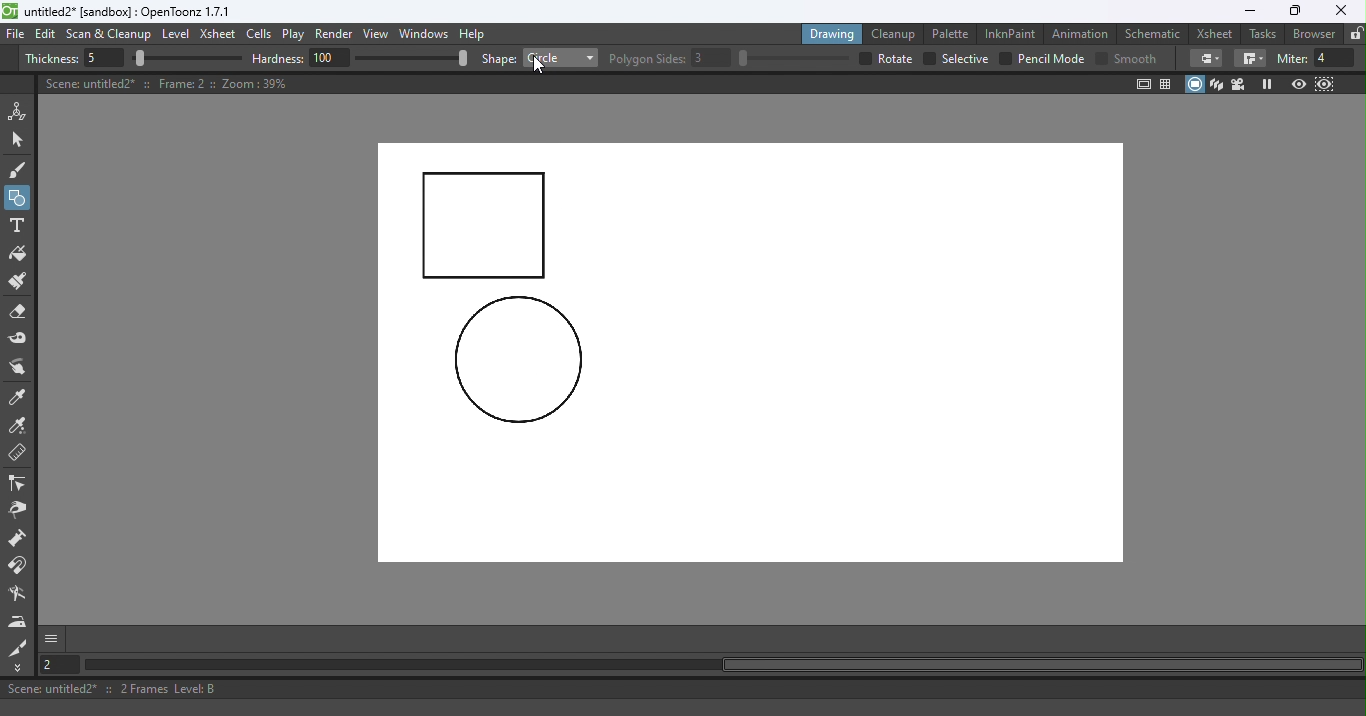  Describe the element at coordinates (863, 58) in the screenshot. I see `checkbox` at that location.